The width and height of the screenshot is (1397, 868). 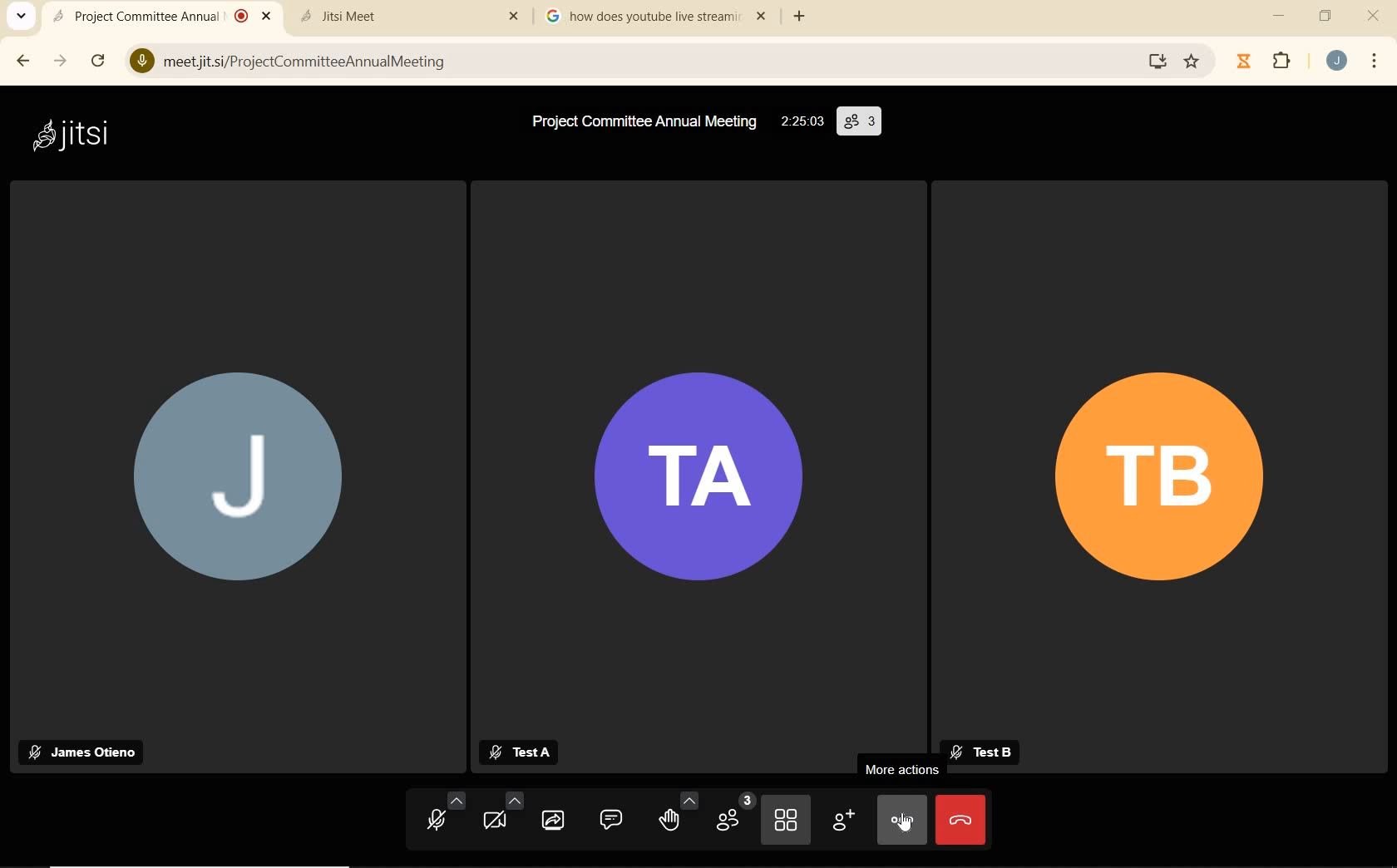 What do you see at coordinates (502, 815) in the screenshot?
I see `camera` at bounding box center [502, 815].